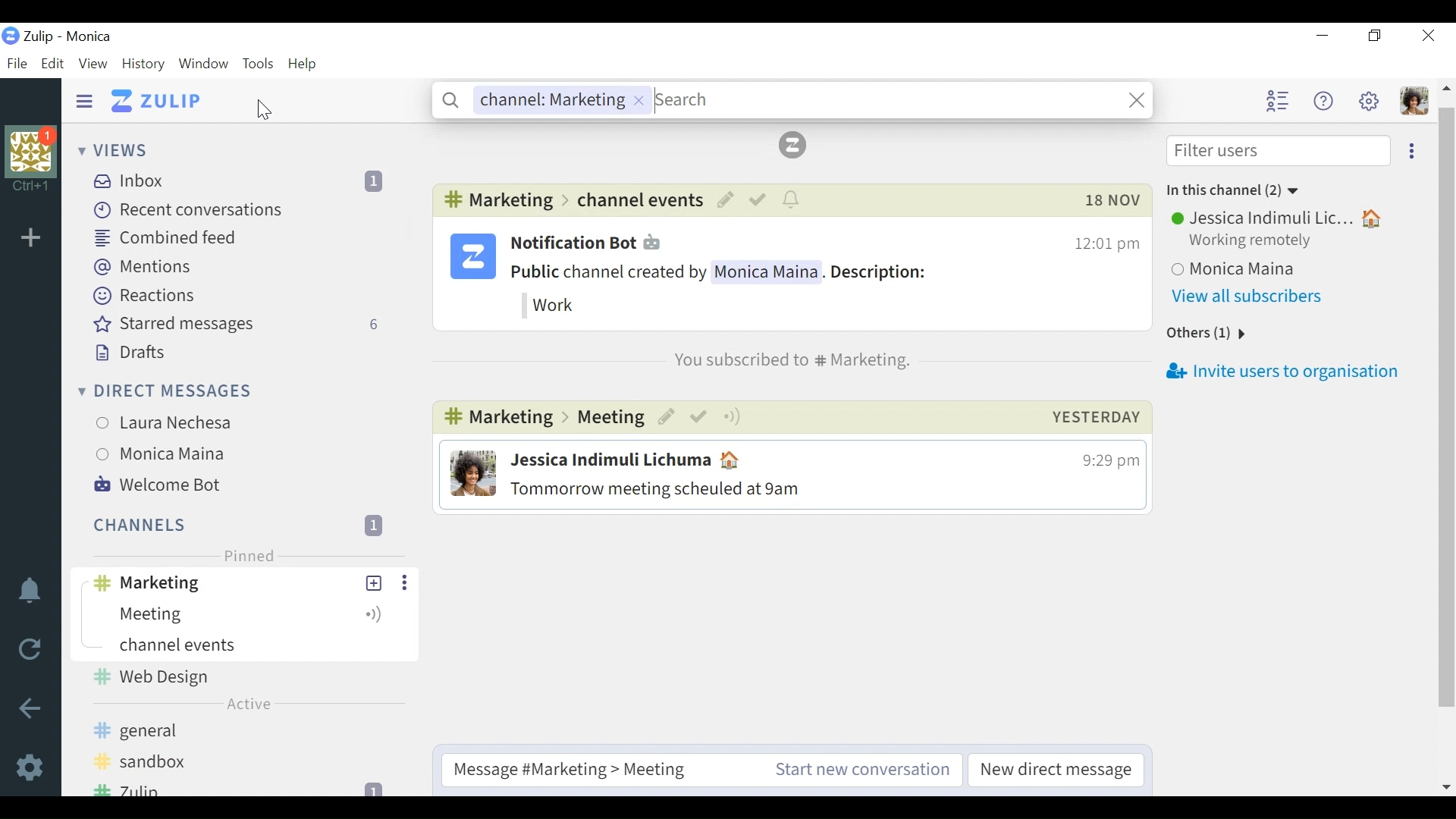 The width and height of the screenshot is (1456, 819). I want to click on File, so click(20, 64).